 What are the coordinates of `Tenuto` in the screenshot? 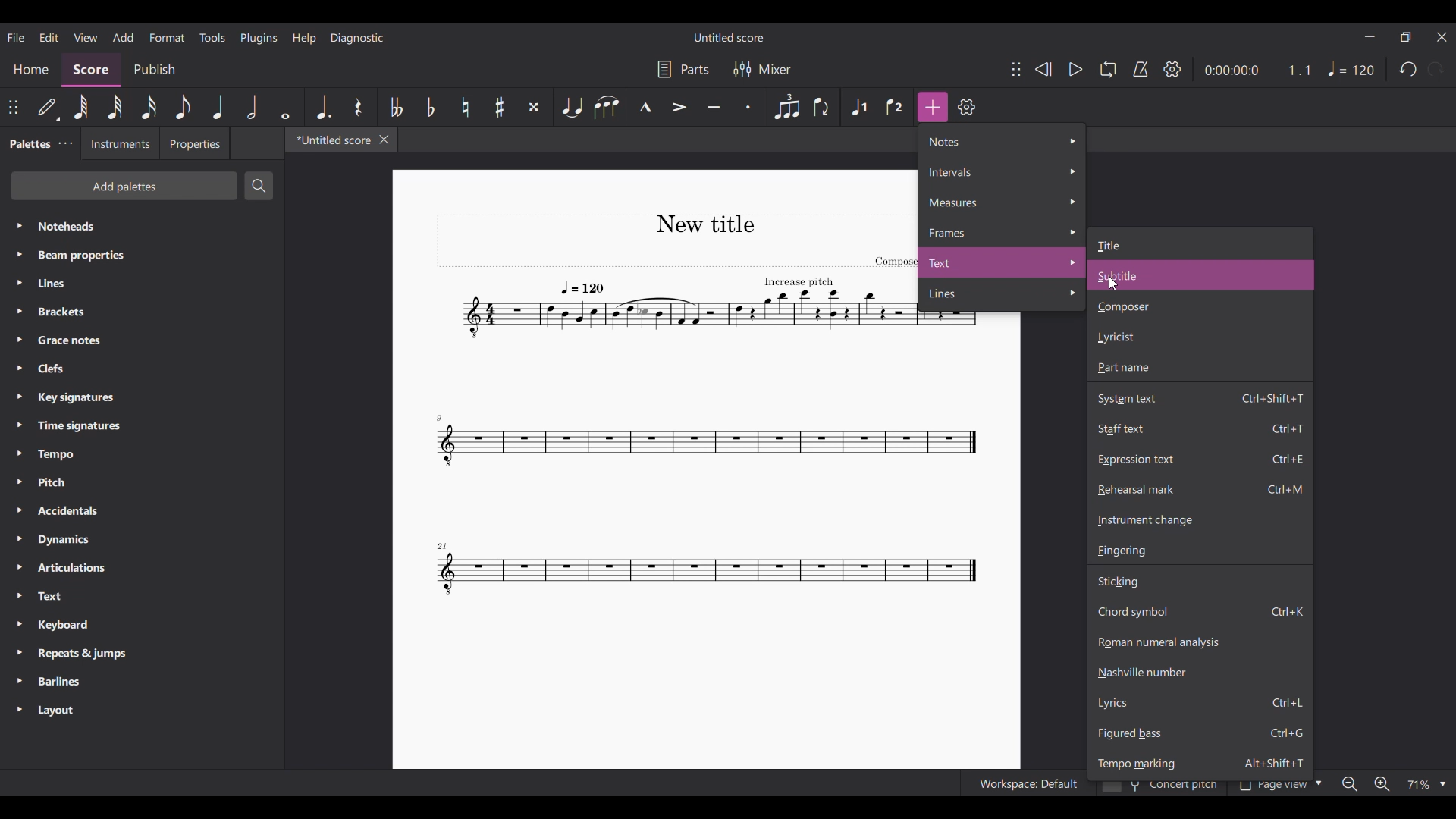 It's located at (714, 108).